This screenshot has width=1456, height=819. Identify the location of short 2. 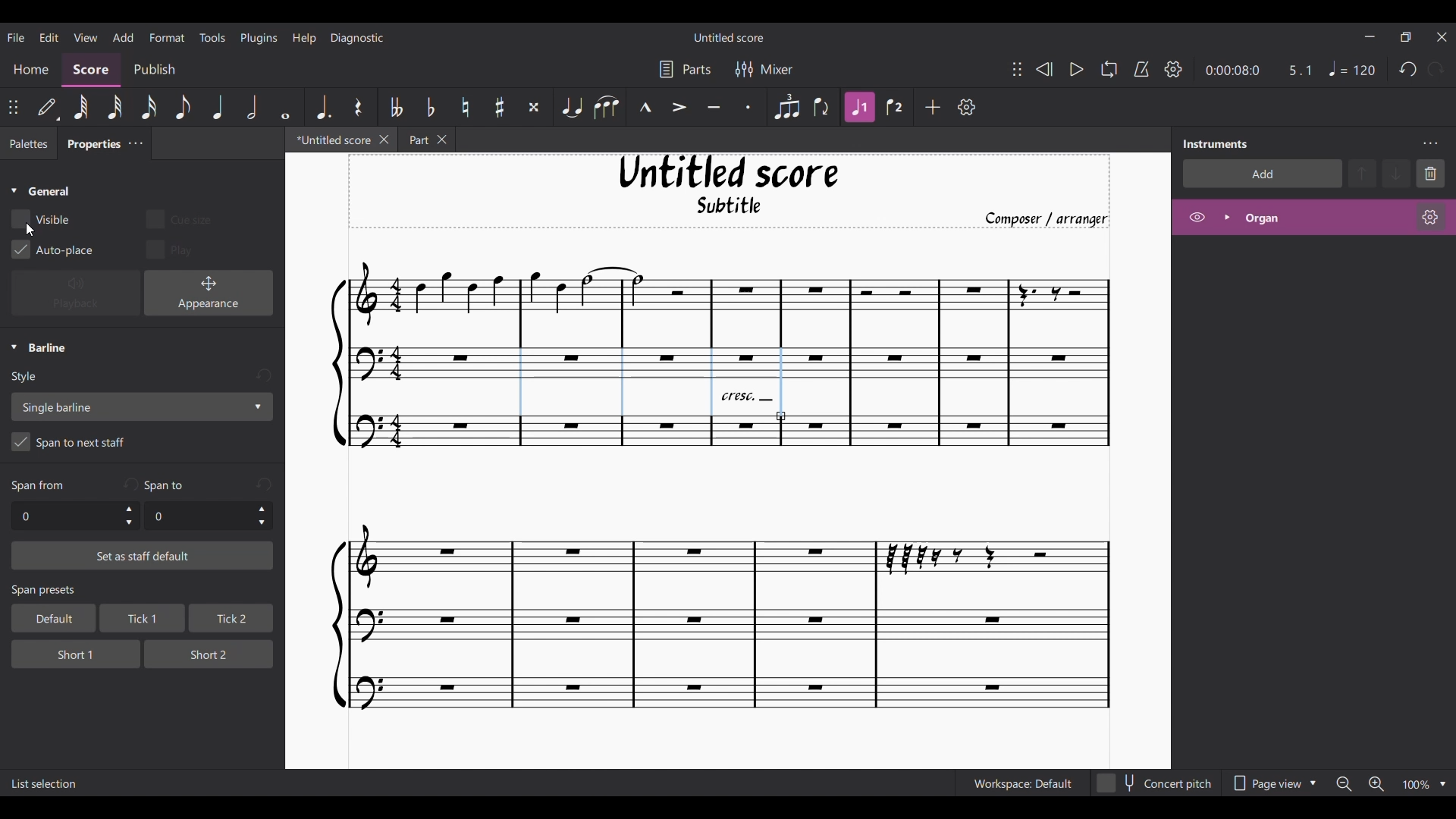
(202, 653).